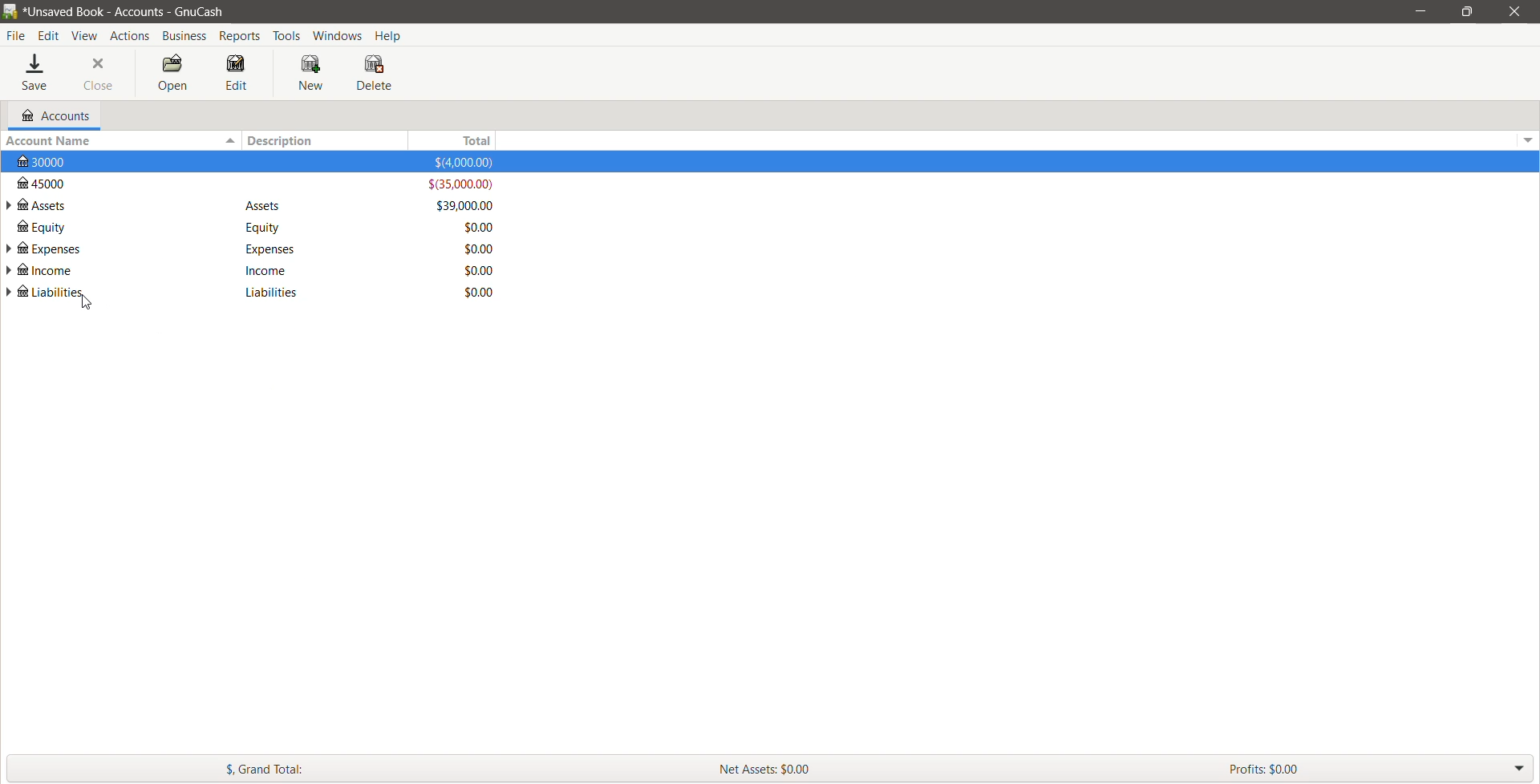  Describe the element at coordinates (331, 140) in the screenshot. I see `Description` at that location.